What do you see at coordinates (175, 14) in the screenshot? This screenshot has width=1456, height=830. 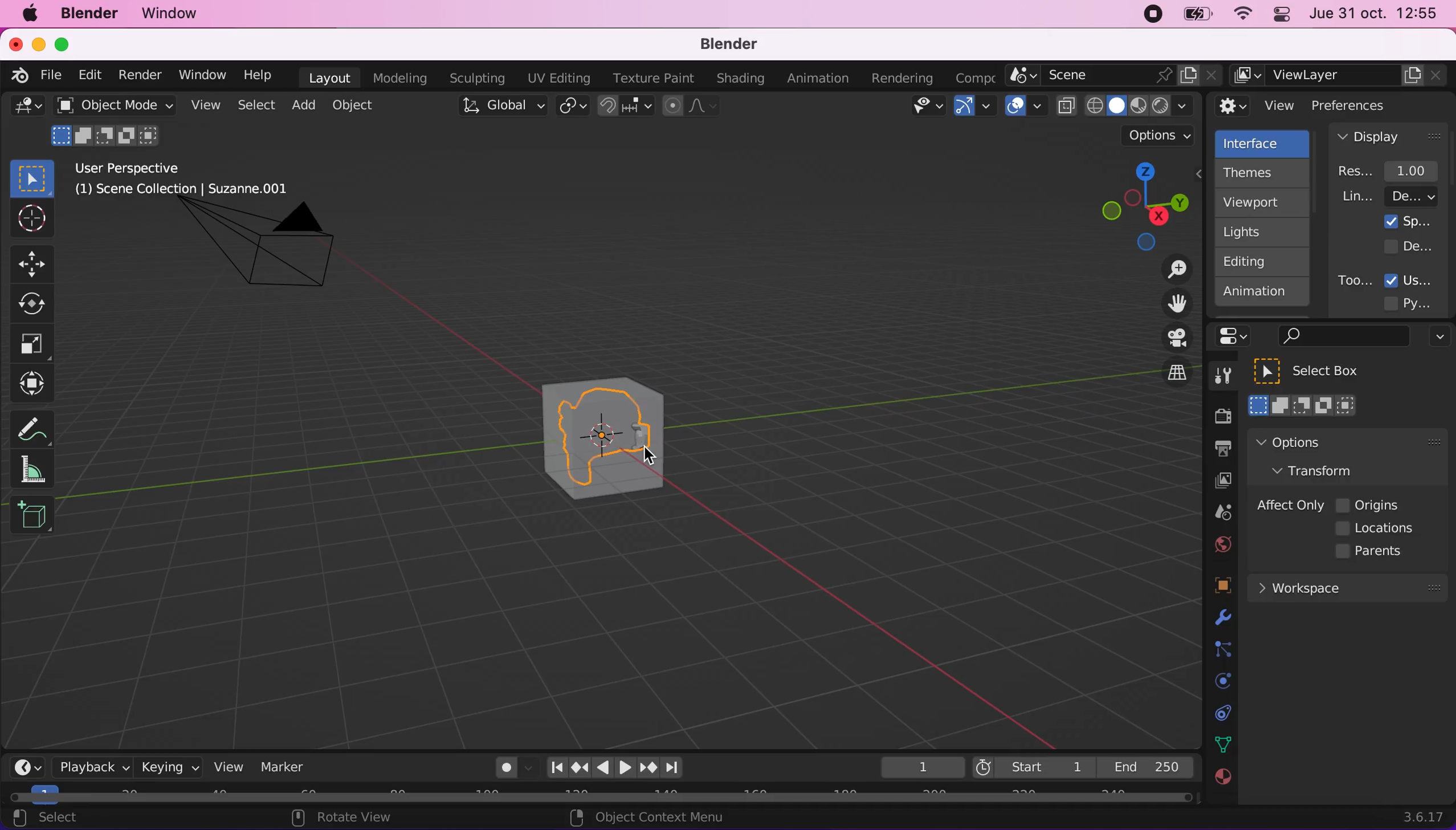 I see `window` at bounding box center [175, 14].